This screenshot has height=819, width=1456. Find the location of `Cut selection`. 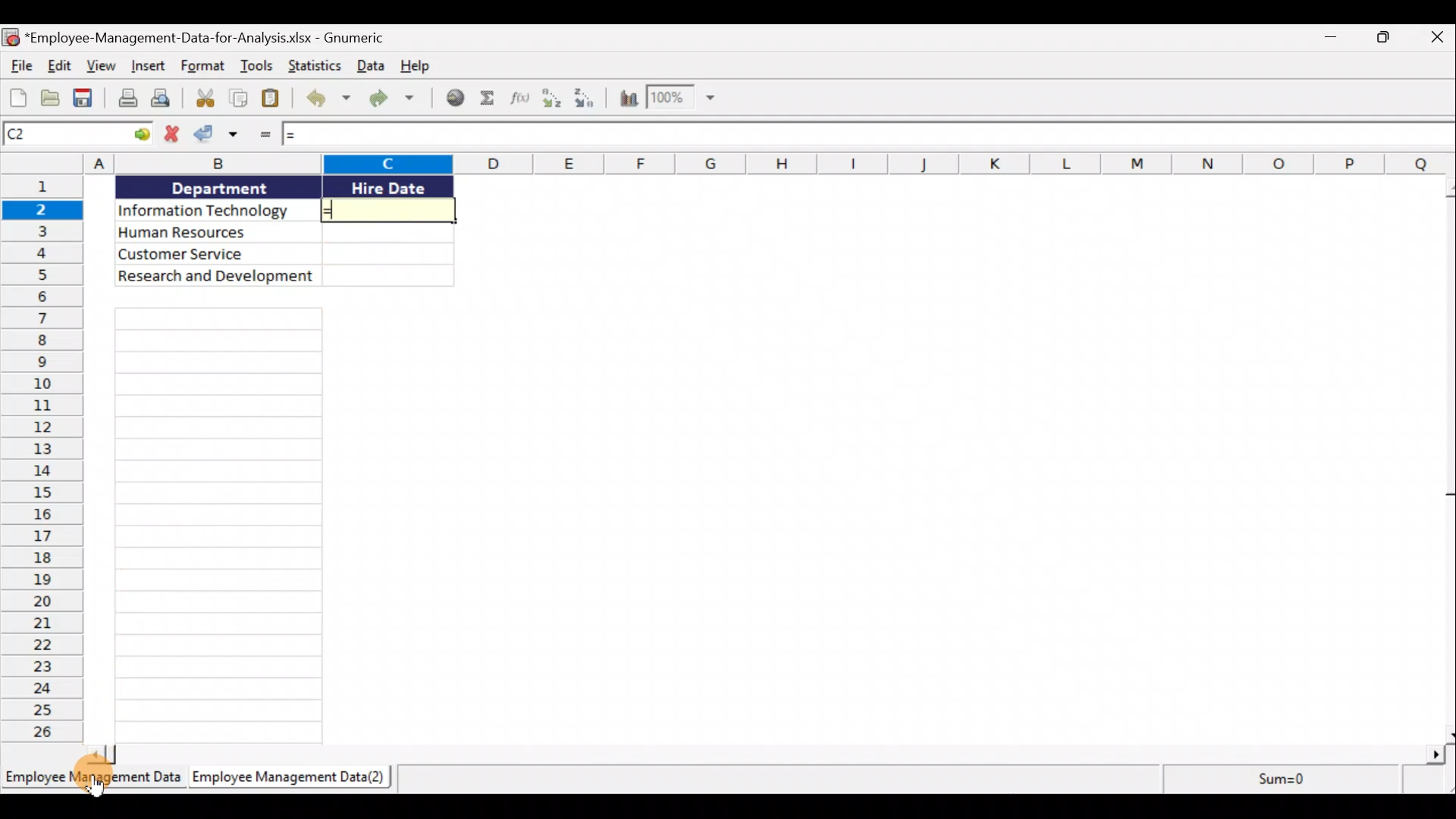

Cut selection is located at coordinates (204, 100).